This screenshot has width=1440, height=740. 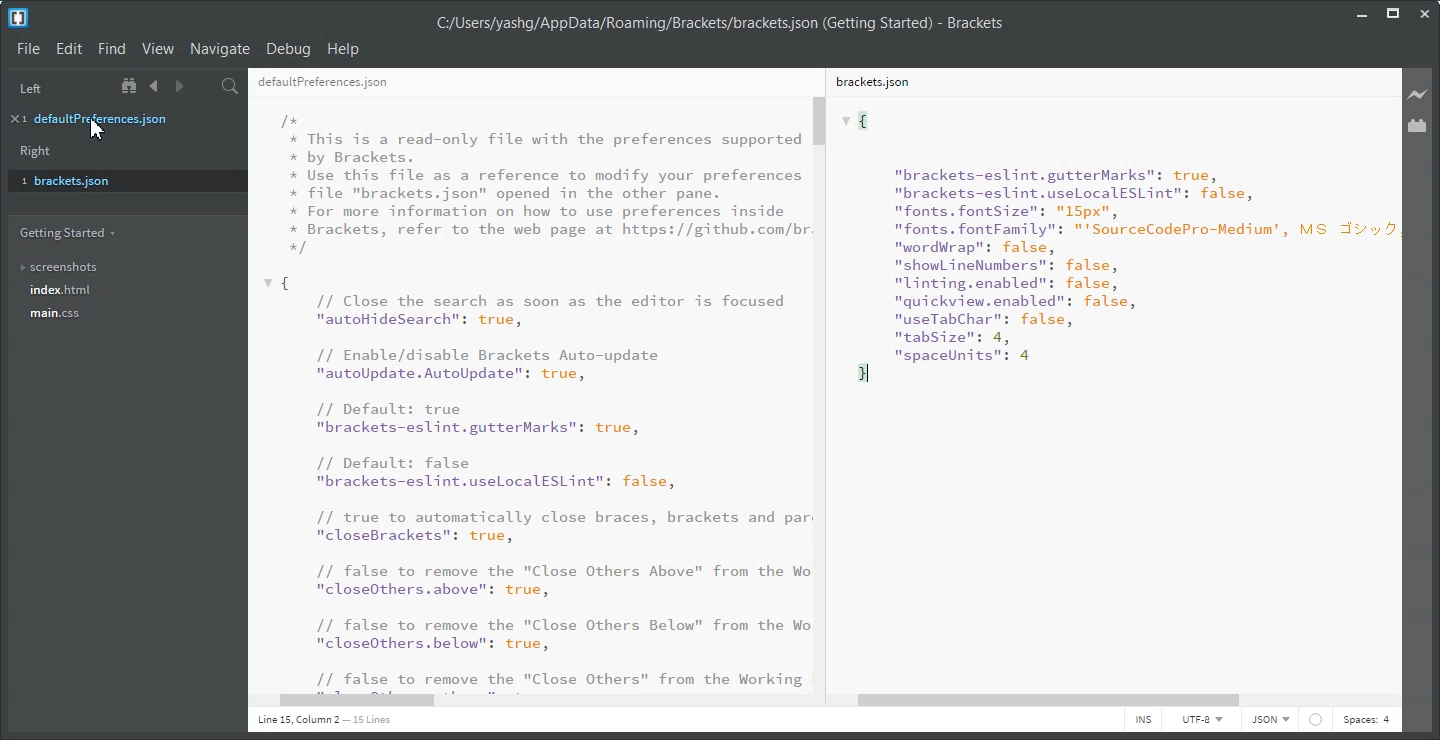 I want to click on Debug, so click(x=288, y=49).